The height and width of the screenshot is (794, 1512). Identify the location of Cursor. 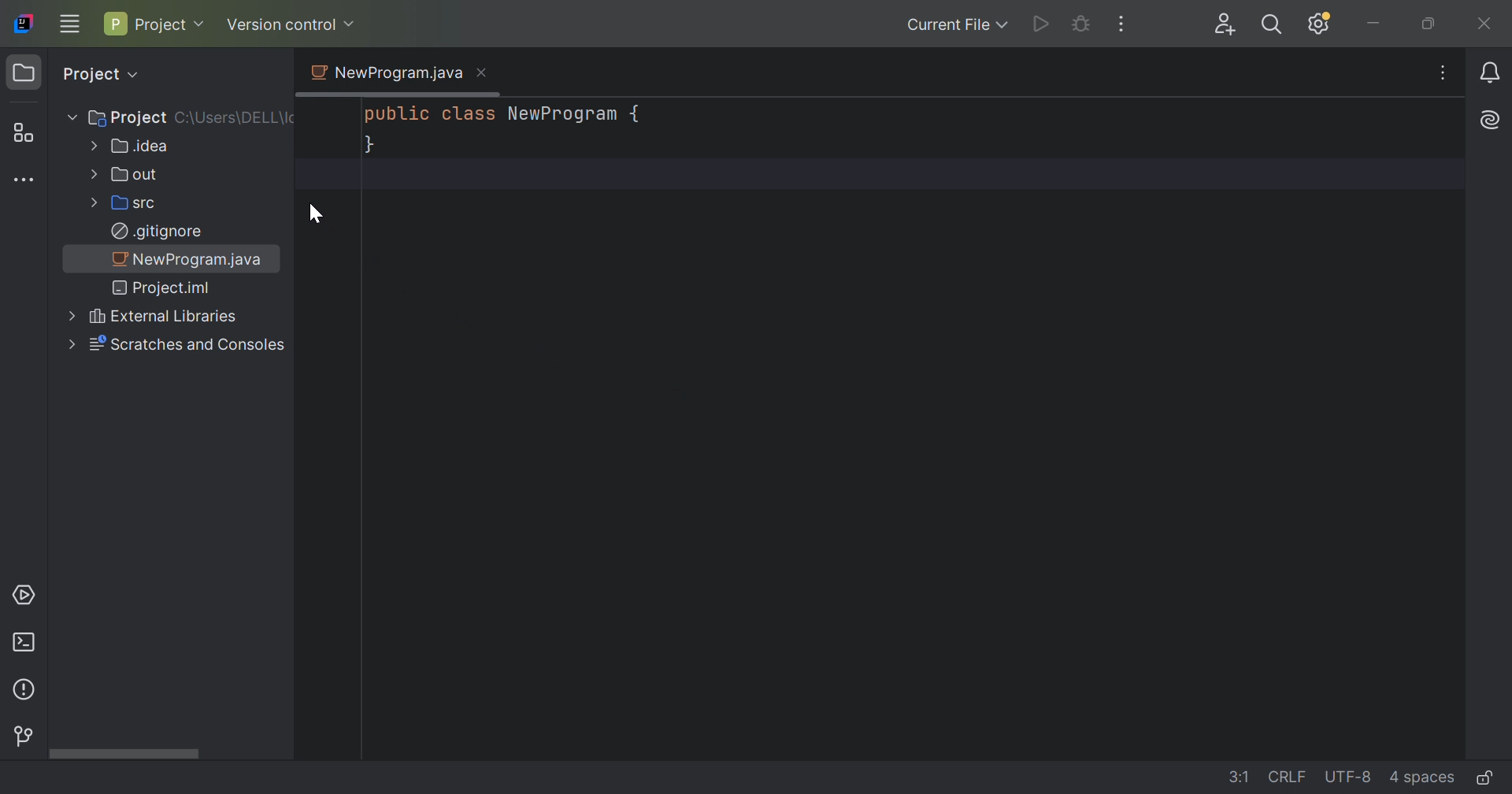
(314, 216).